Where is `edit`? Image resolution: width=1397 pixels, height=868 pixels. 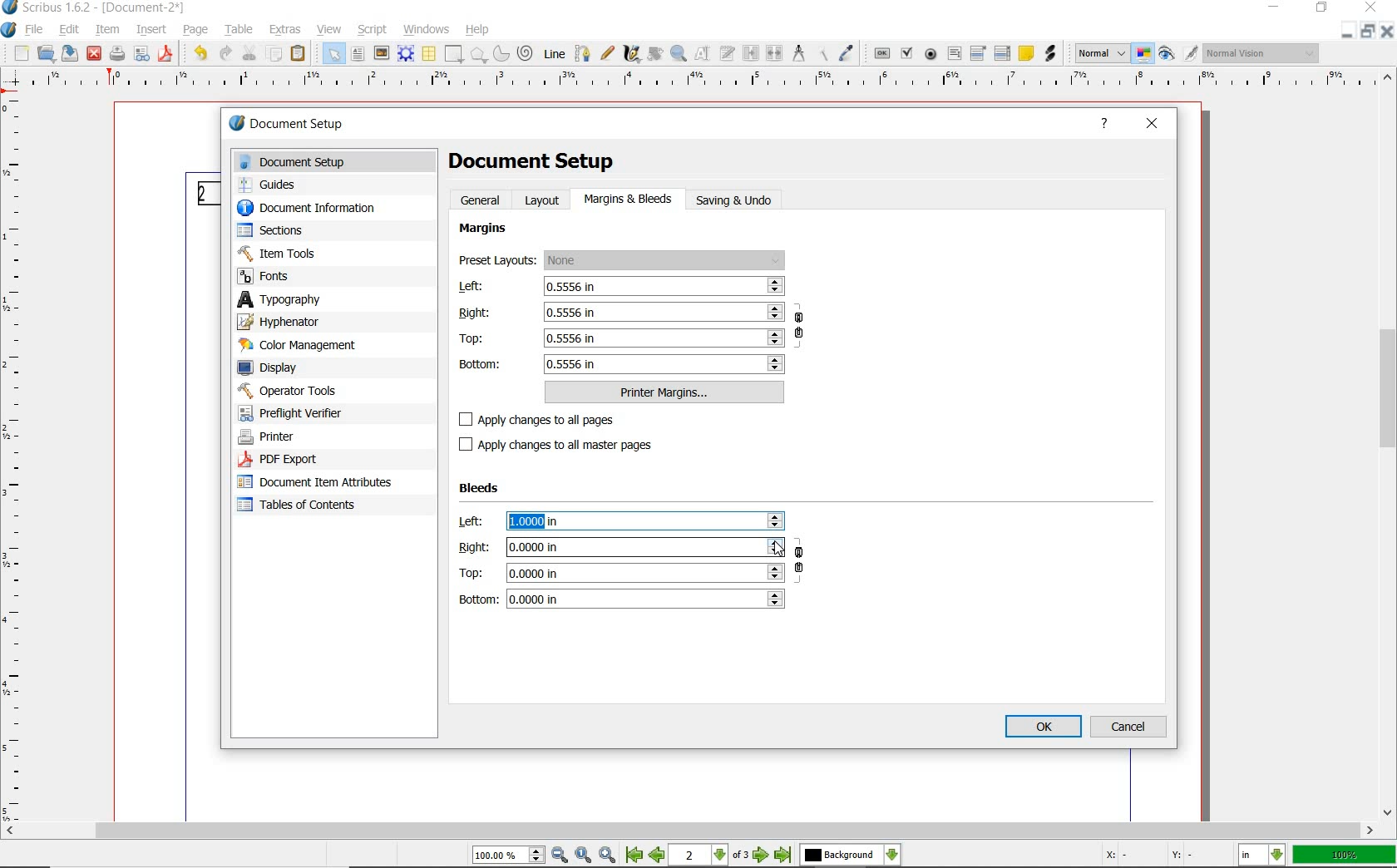 edit is located at coordinates (68, 29).